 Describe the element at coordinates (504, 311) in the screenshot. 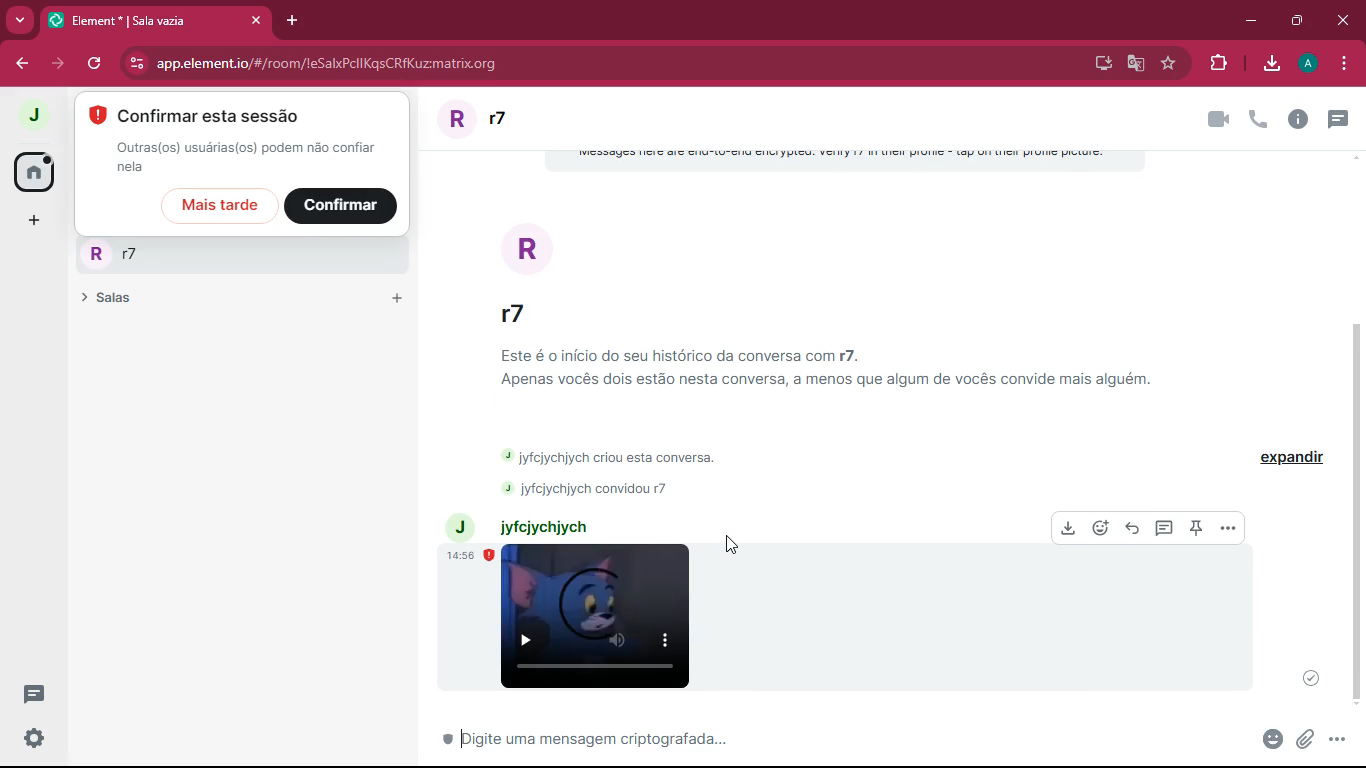

I see `r7 ` at that location.